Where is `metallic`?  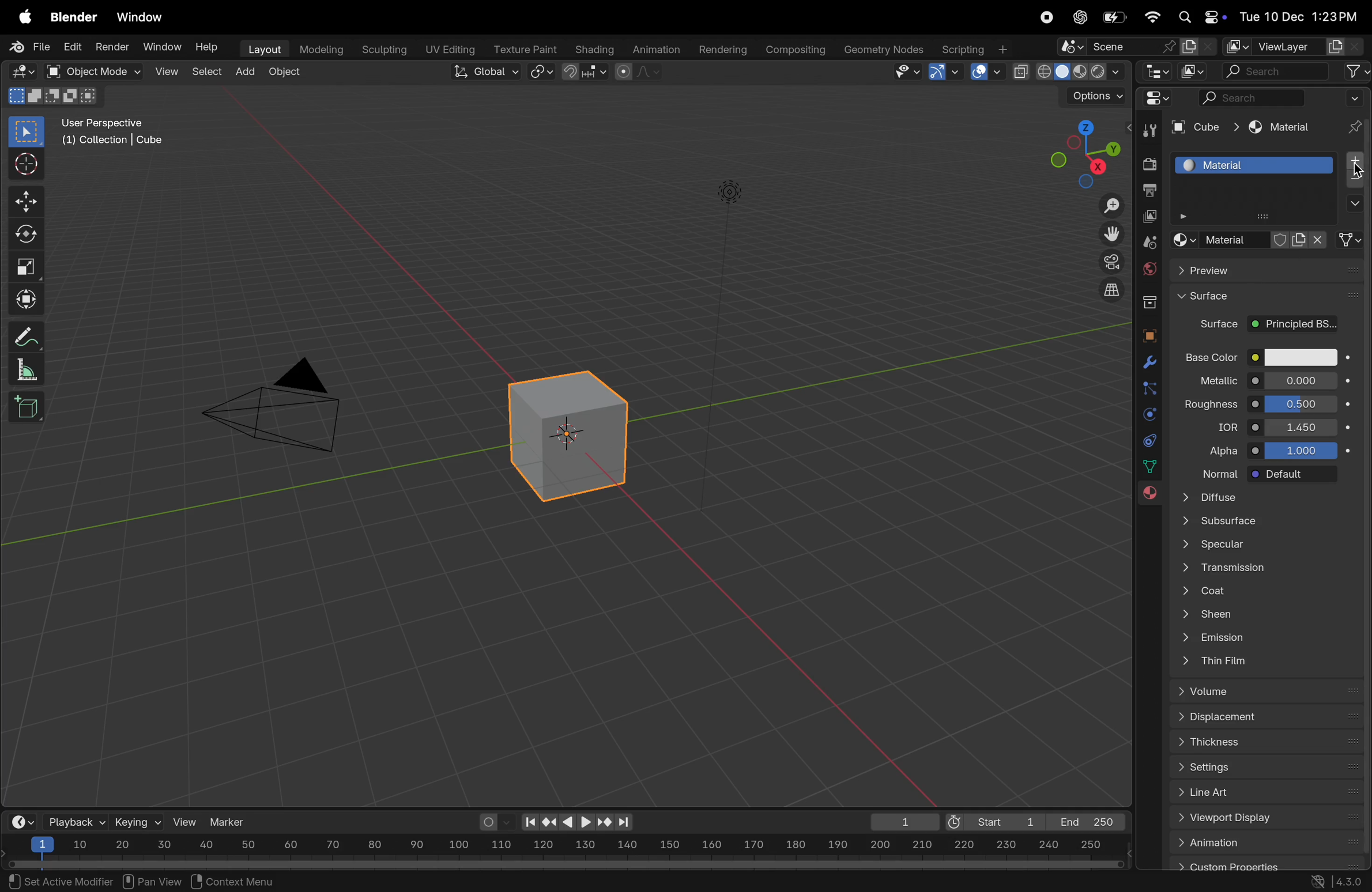 metallic is located at coordinates (1213, 383).